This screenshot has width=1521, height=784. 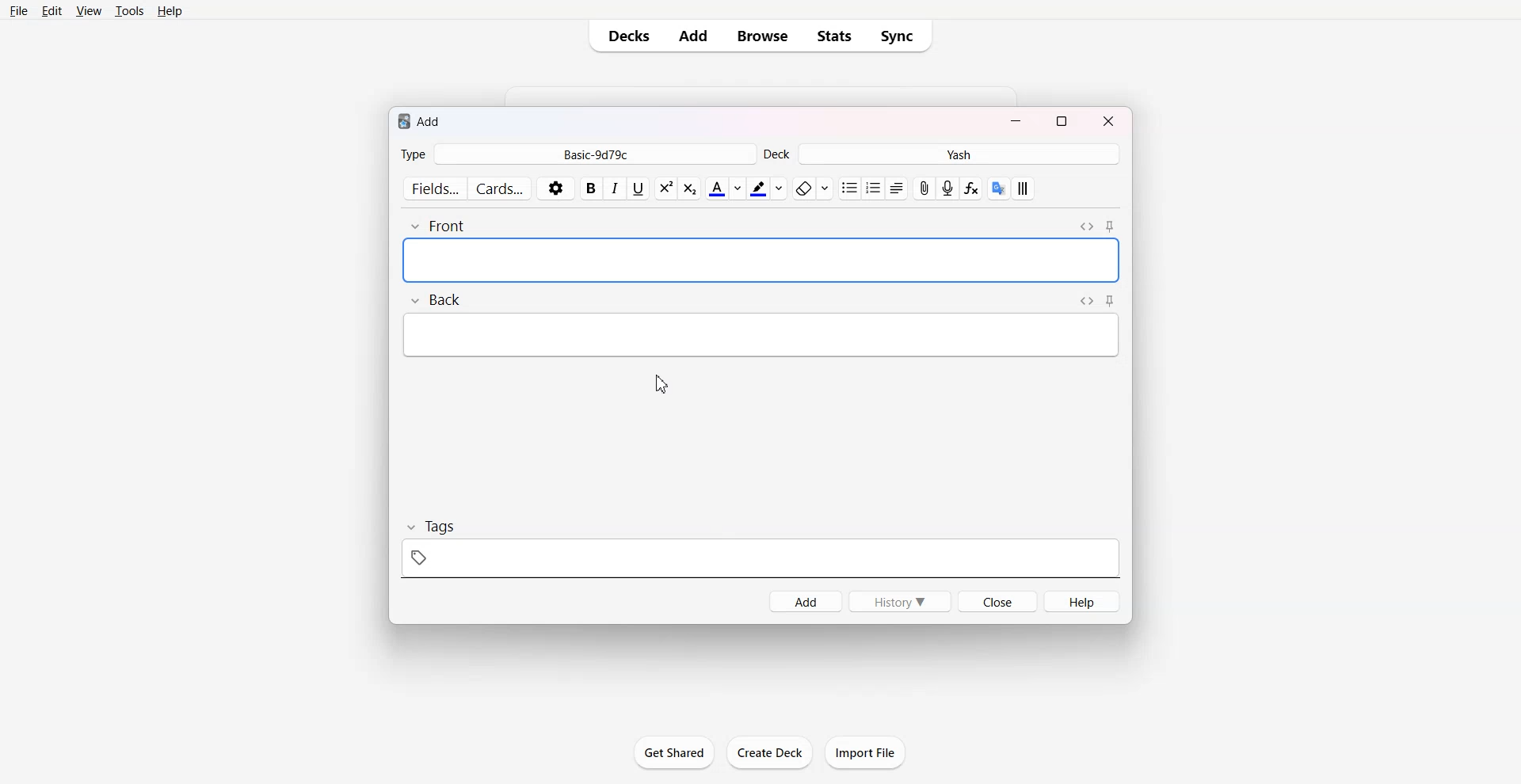 What do you see at coordinates (762, 260) in the screenshot?
I see `front input field` at bounding box center [762, 260].